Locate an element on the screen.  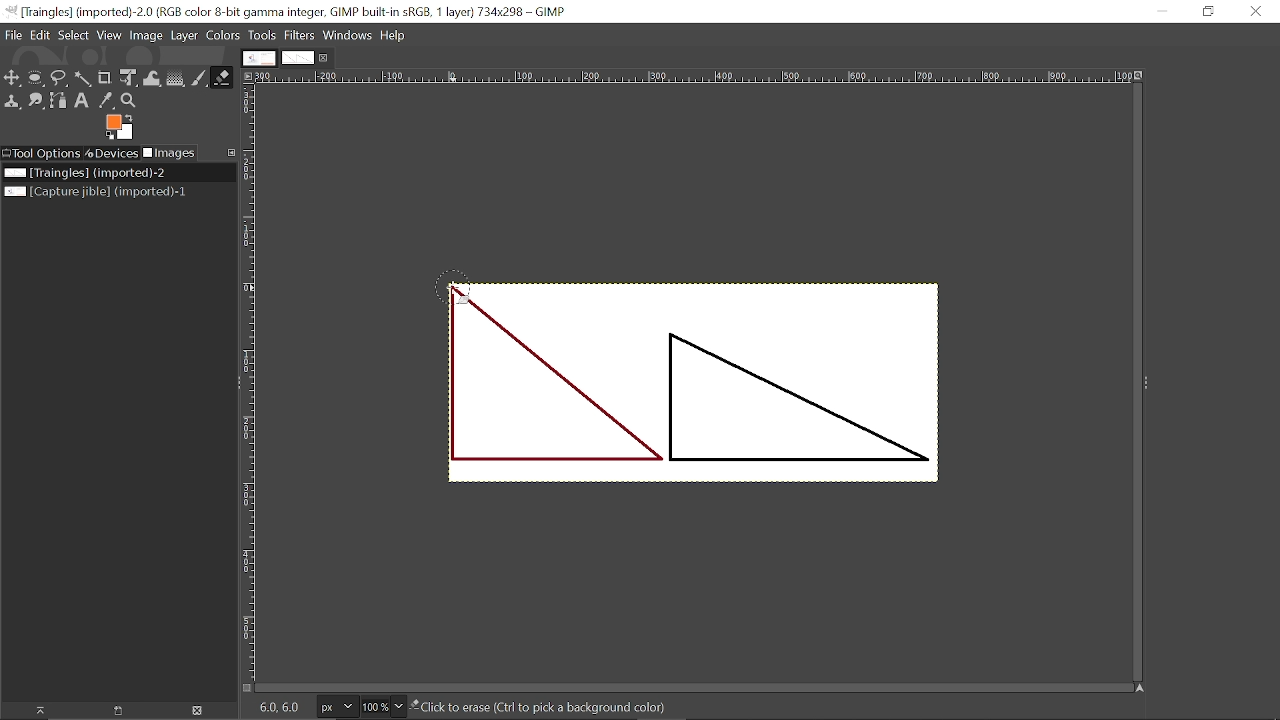
Vertical label is located at coordinates (251, 383).